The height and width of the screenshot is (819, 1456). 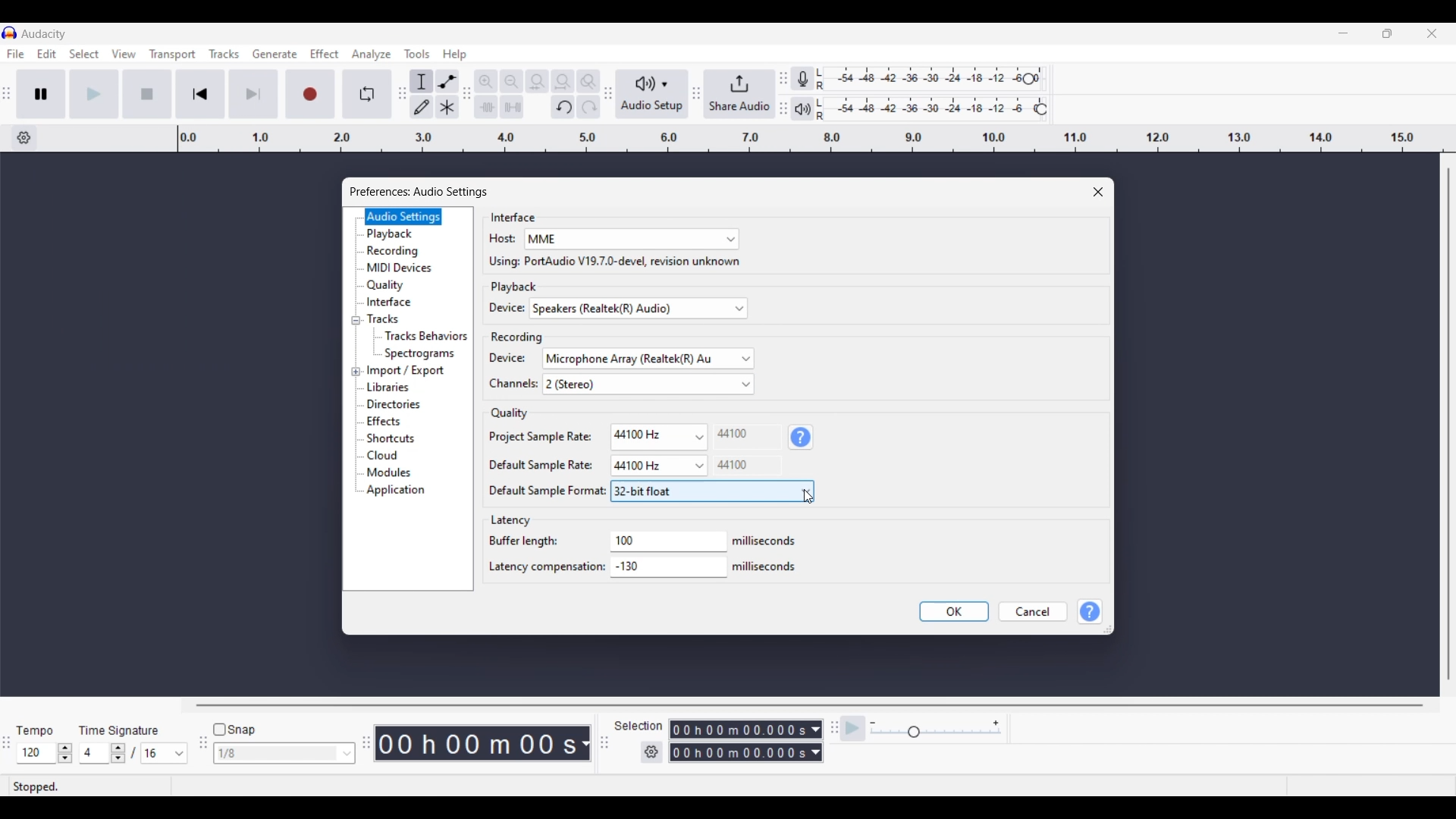 What do you see at coordinates (809, 79) in the screenshot?
I see `Record meter` at bounding box center [809, 79].